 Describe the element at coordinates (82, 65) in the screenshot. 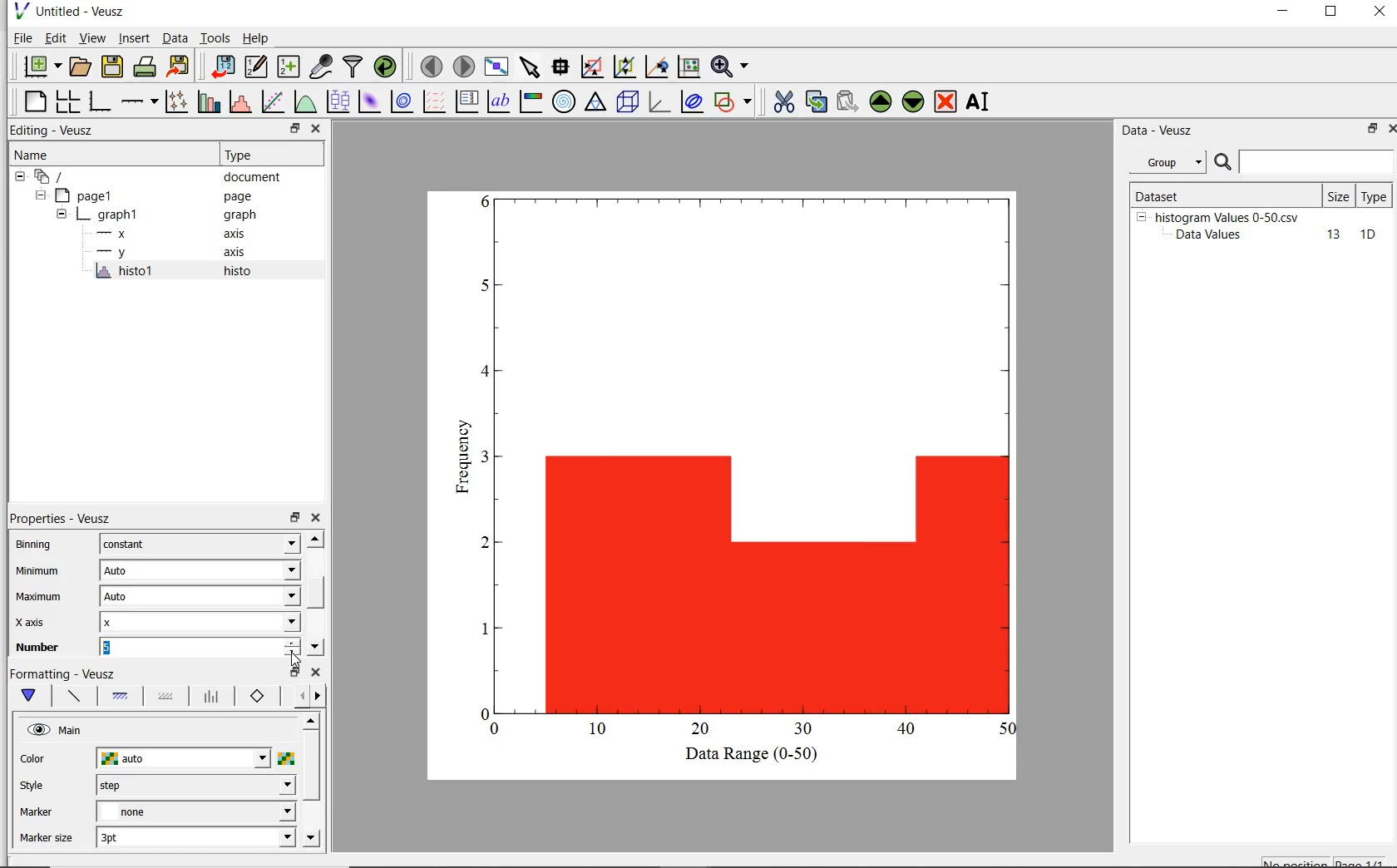

I see `open` at that location.